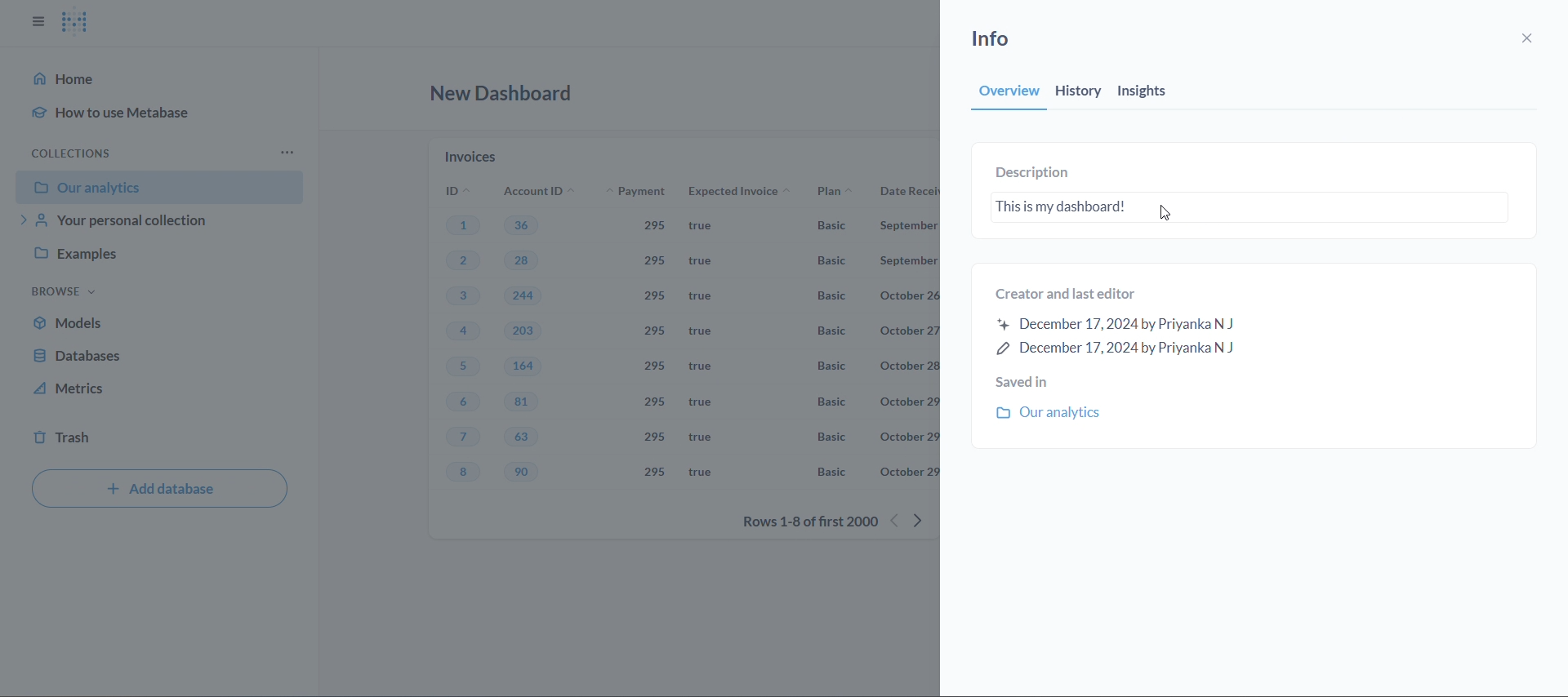  I want to click on october 29, so click(907, 473).